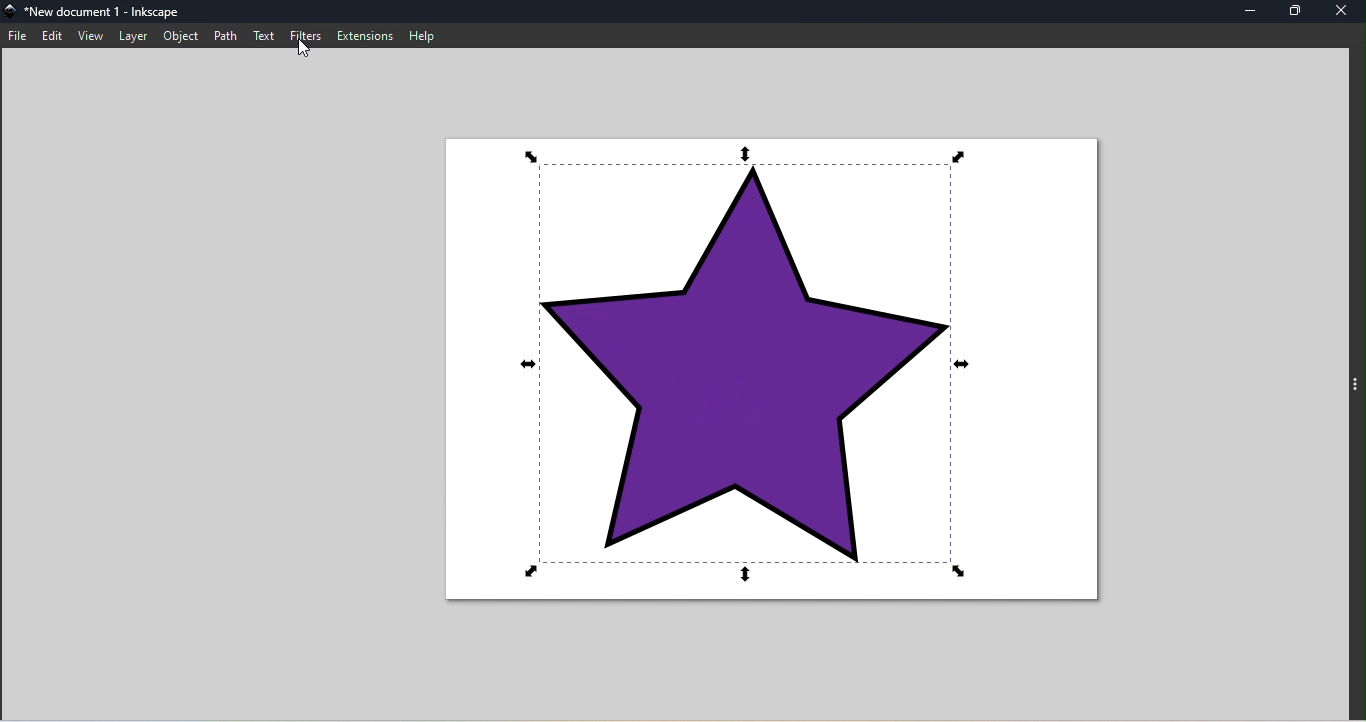 The width and height of the screenshot is (1366, 722). What do you see at coordinates (89, 36) in the screenshot?
I see `View` at bounding box center [89, 36].